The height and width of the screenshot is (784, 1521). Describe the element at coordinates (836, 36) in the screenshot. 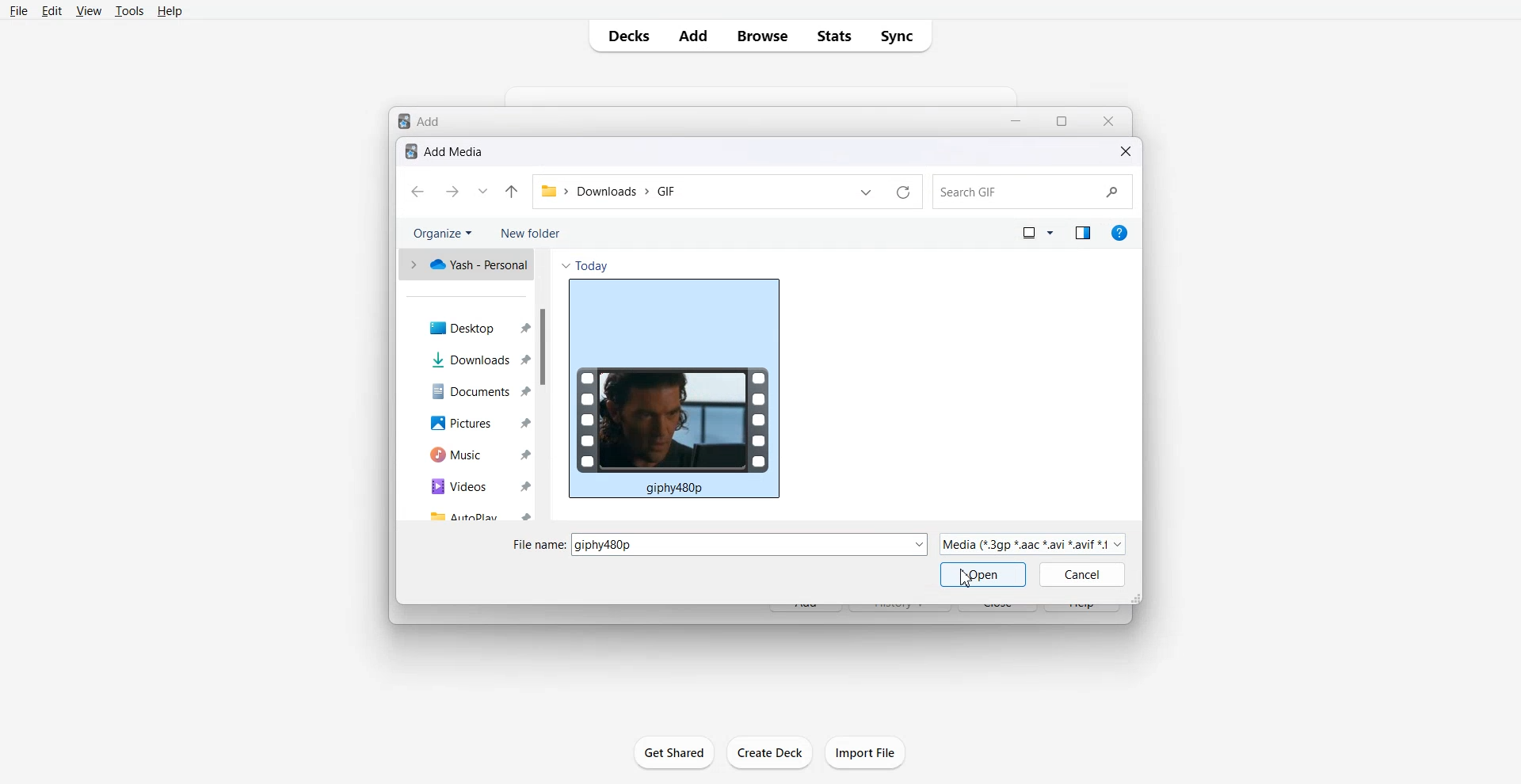

I see `Stats` at that location.